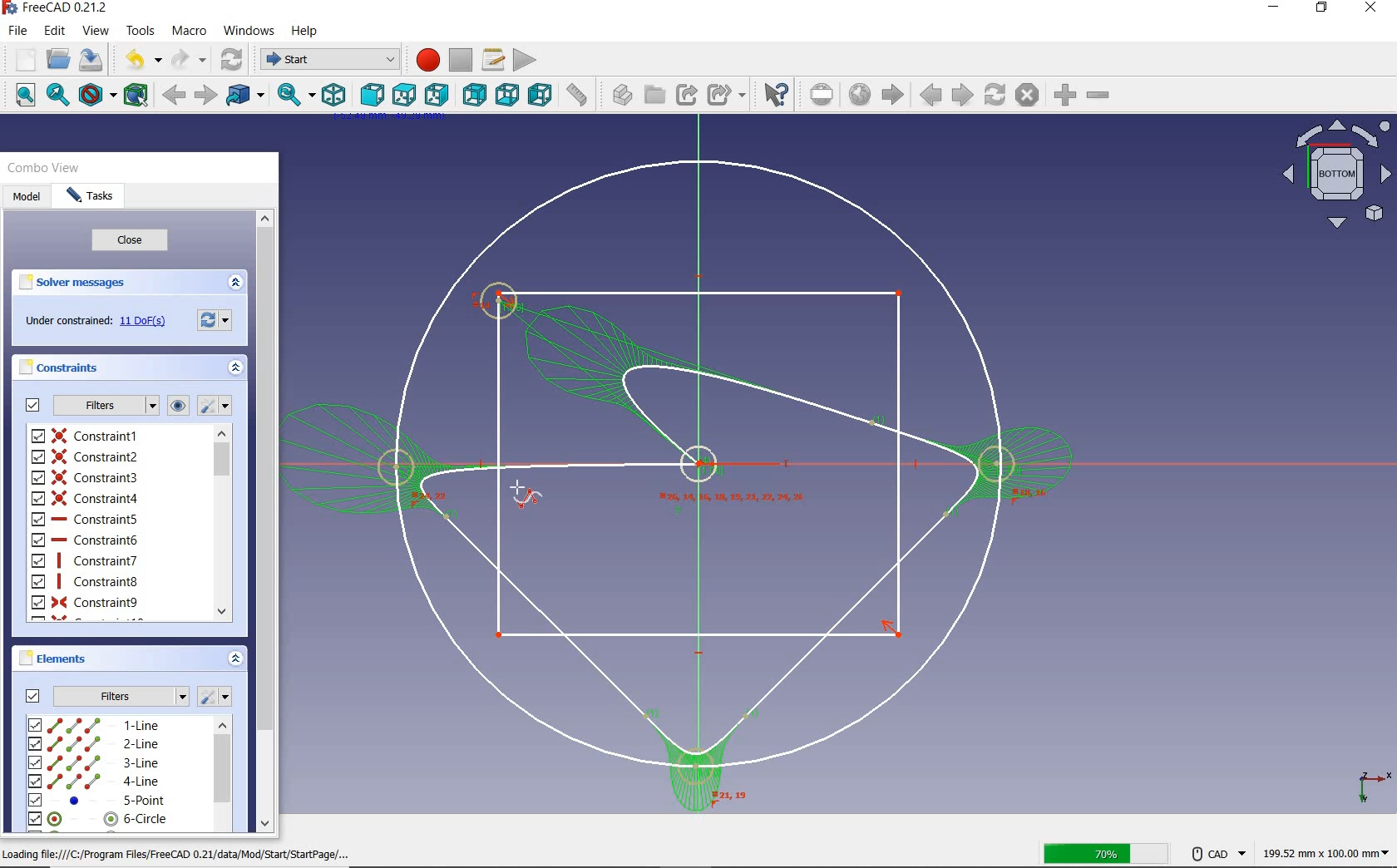 This screenshot has width=1397, height=868. I want to click on measure distance, so click(579, 96).